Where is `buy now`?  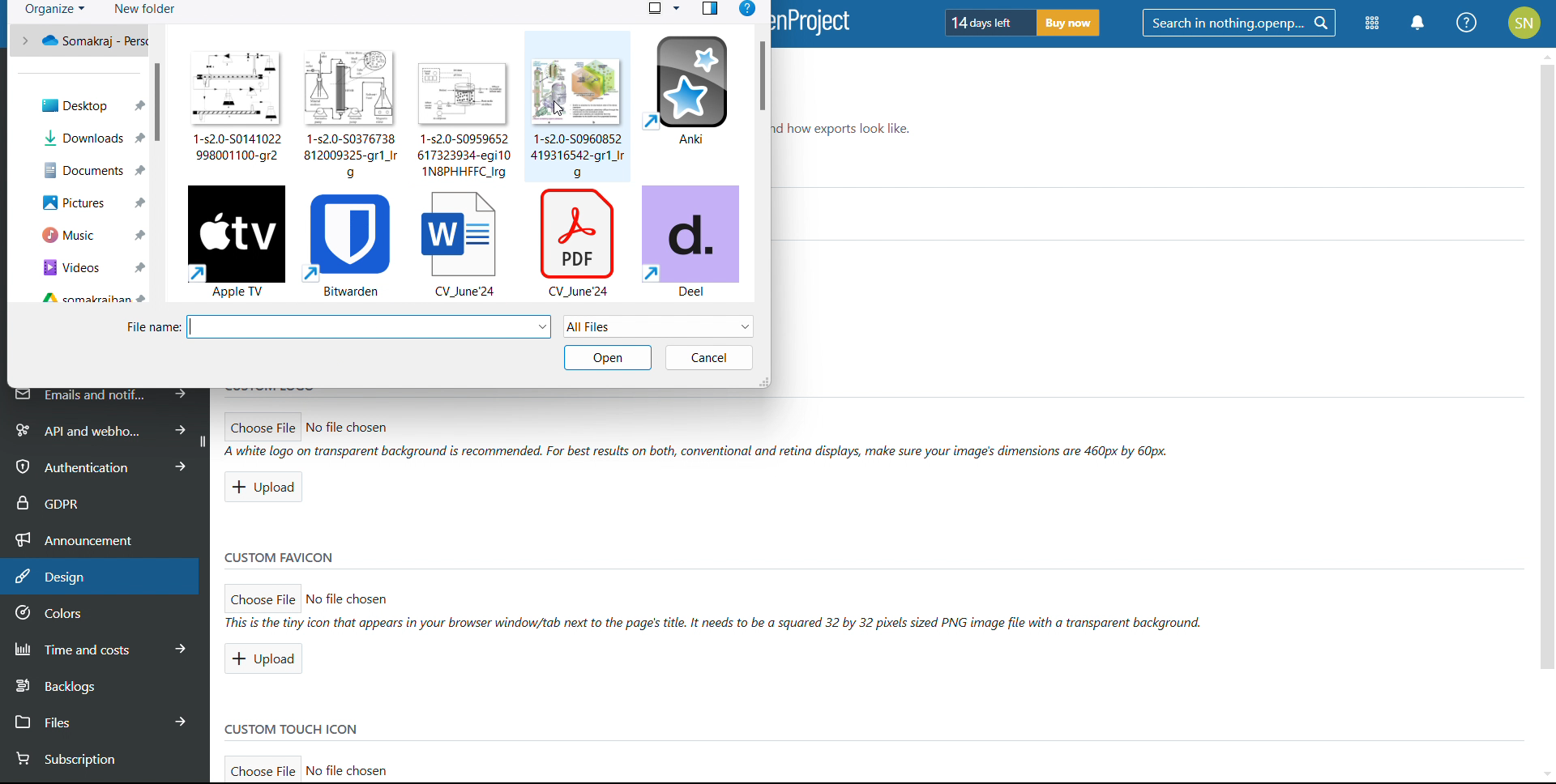 buy now is located at coordinates (1068, 23).